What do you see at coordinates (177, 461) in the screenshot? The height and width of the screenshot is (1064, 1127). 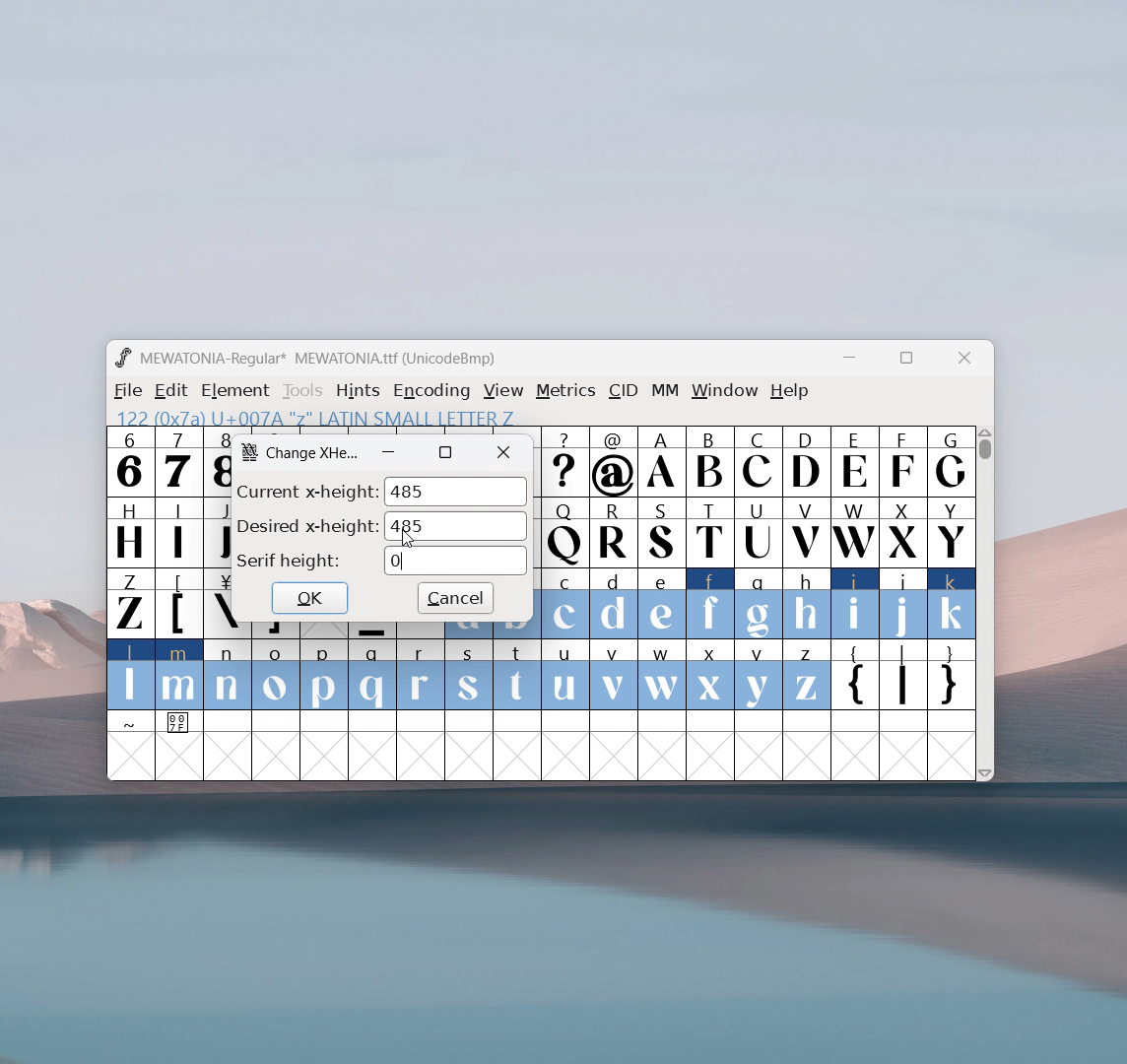 I see `7` at bounding box center [177, 461].